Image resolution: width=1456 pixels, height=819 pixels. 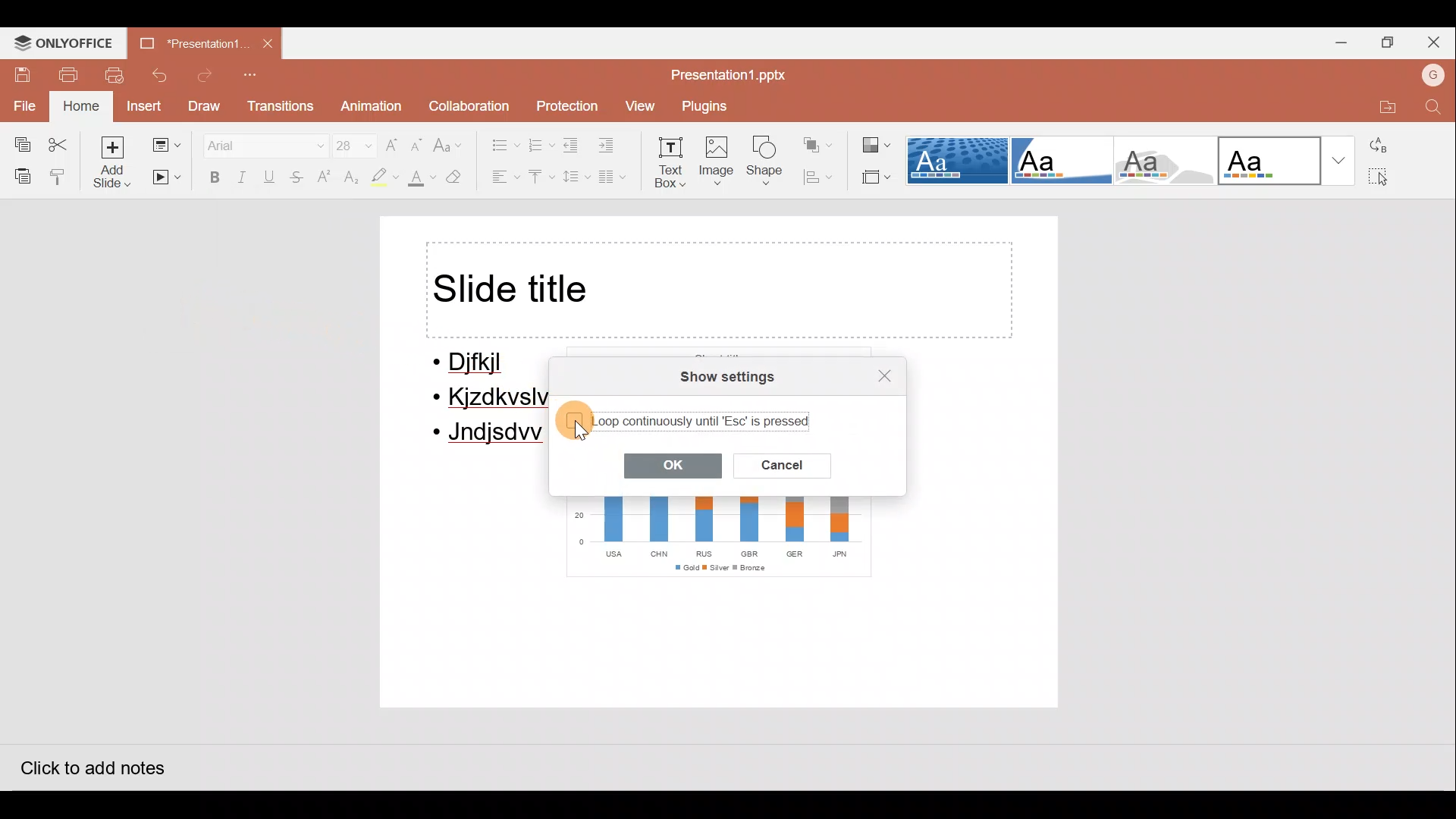 I want to click on File, so click(x=21, y=109).